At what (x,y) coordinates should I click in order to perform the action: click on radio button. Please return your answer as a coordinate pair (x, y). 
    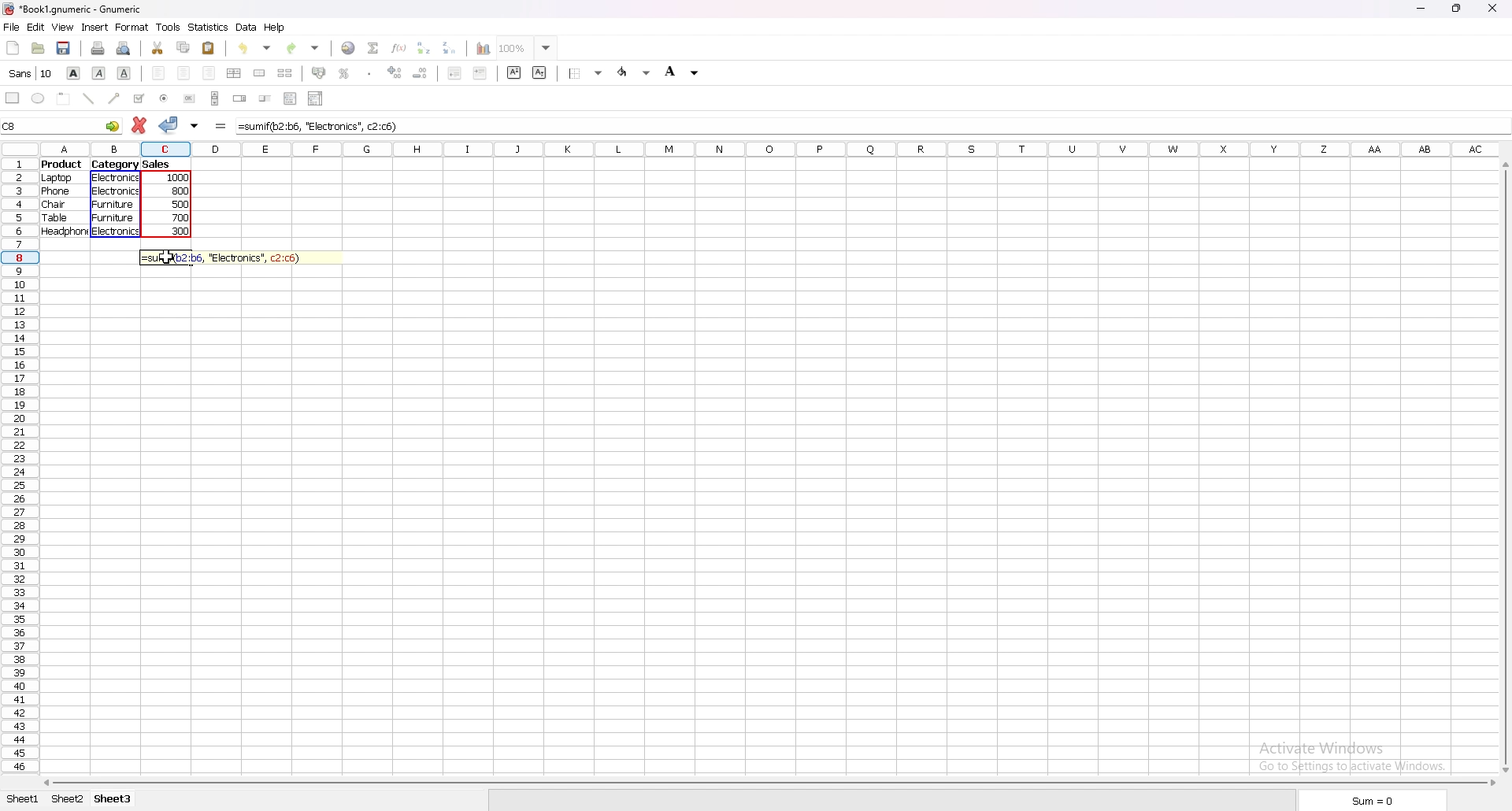
    Looking at the image, I should click on (163, 98).